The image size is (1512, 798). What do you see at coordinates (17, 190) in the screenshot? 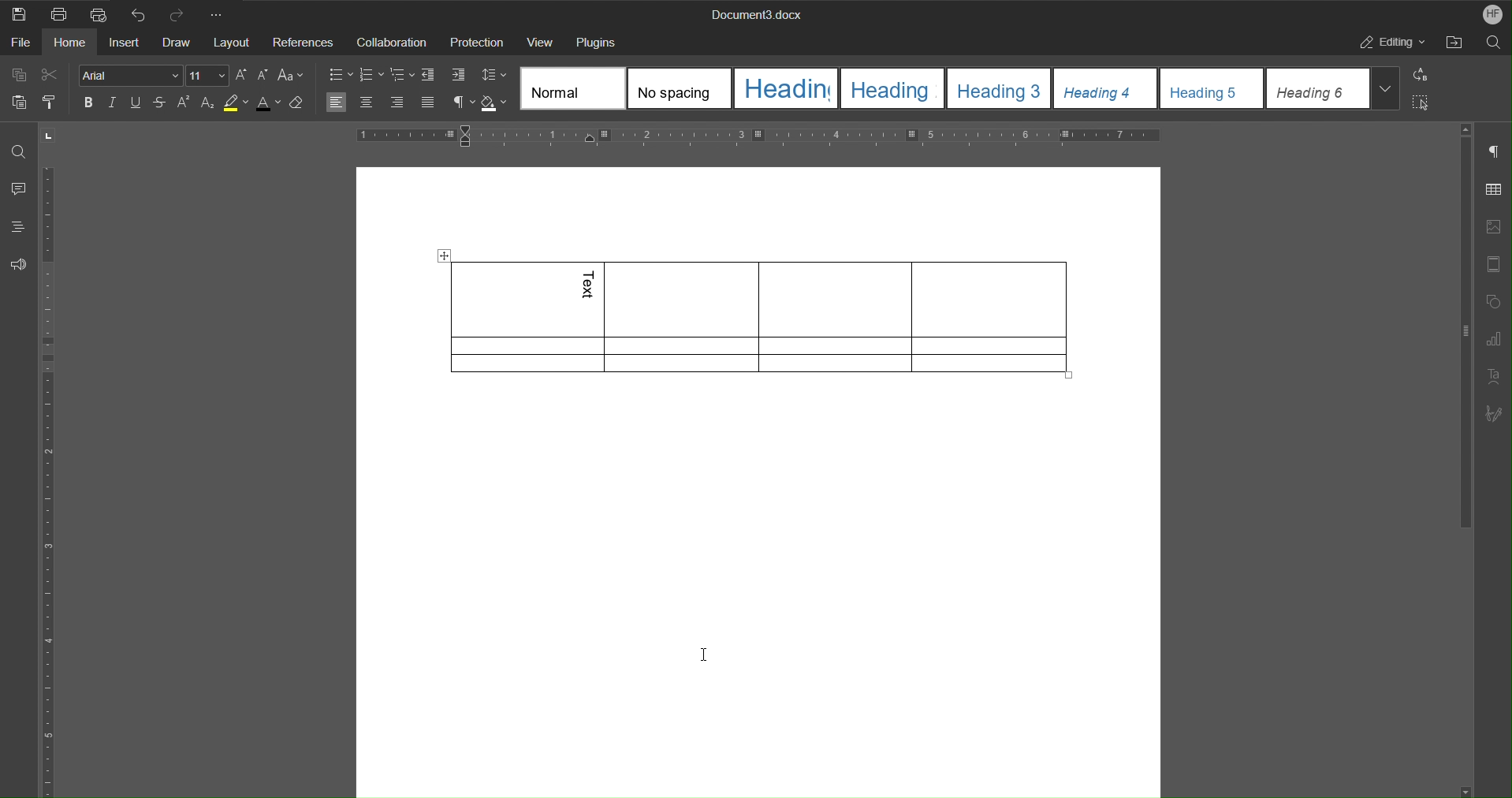
I see `Comment` at bounding box center [17, 190].